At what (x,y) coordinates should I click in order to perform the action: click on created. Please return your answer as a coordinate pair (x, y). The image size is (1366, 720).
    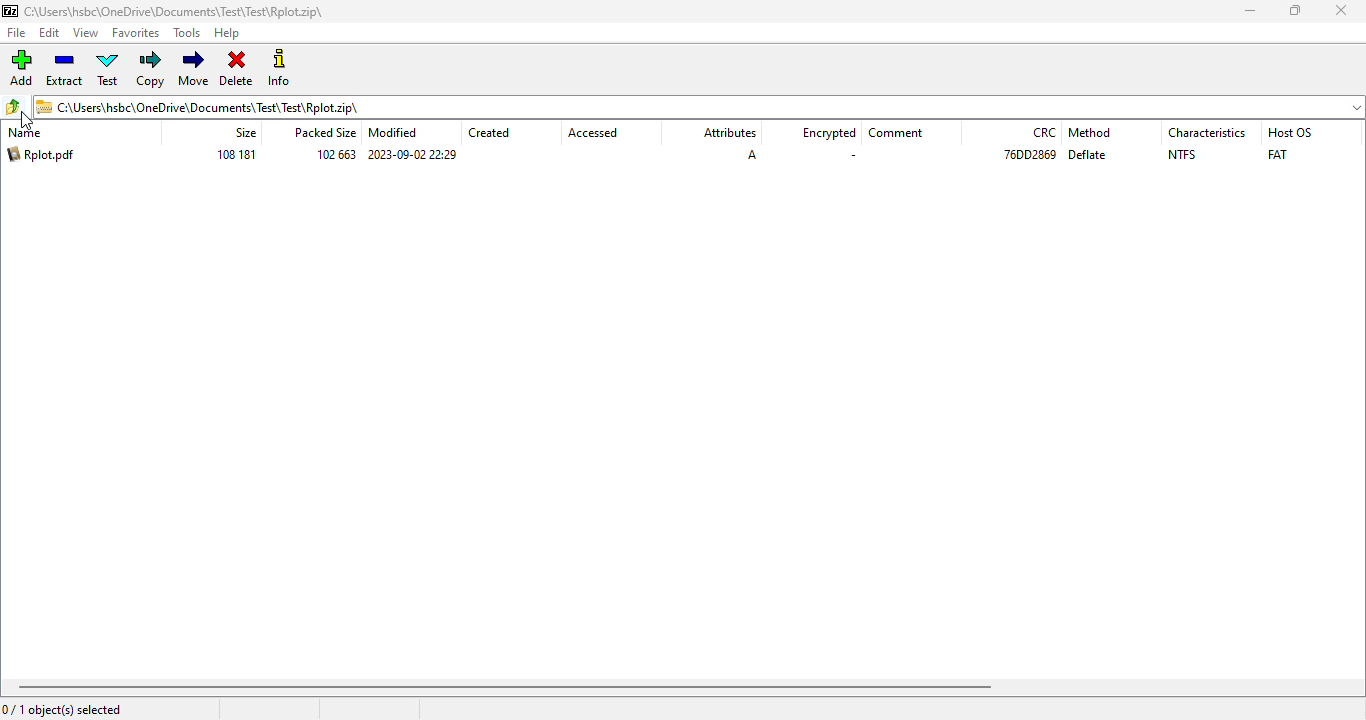
    Looking at the image, I should click on (490, 133).